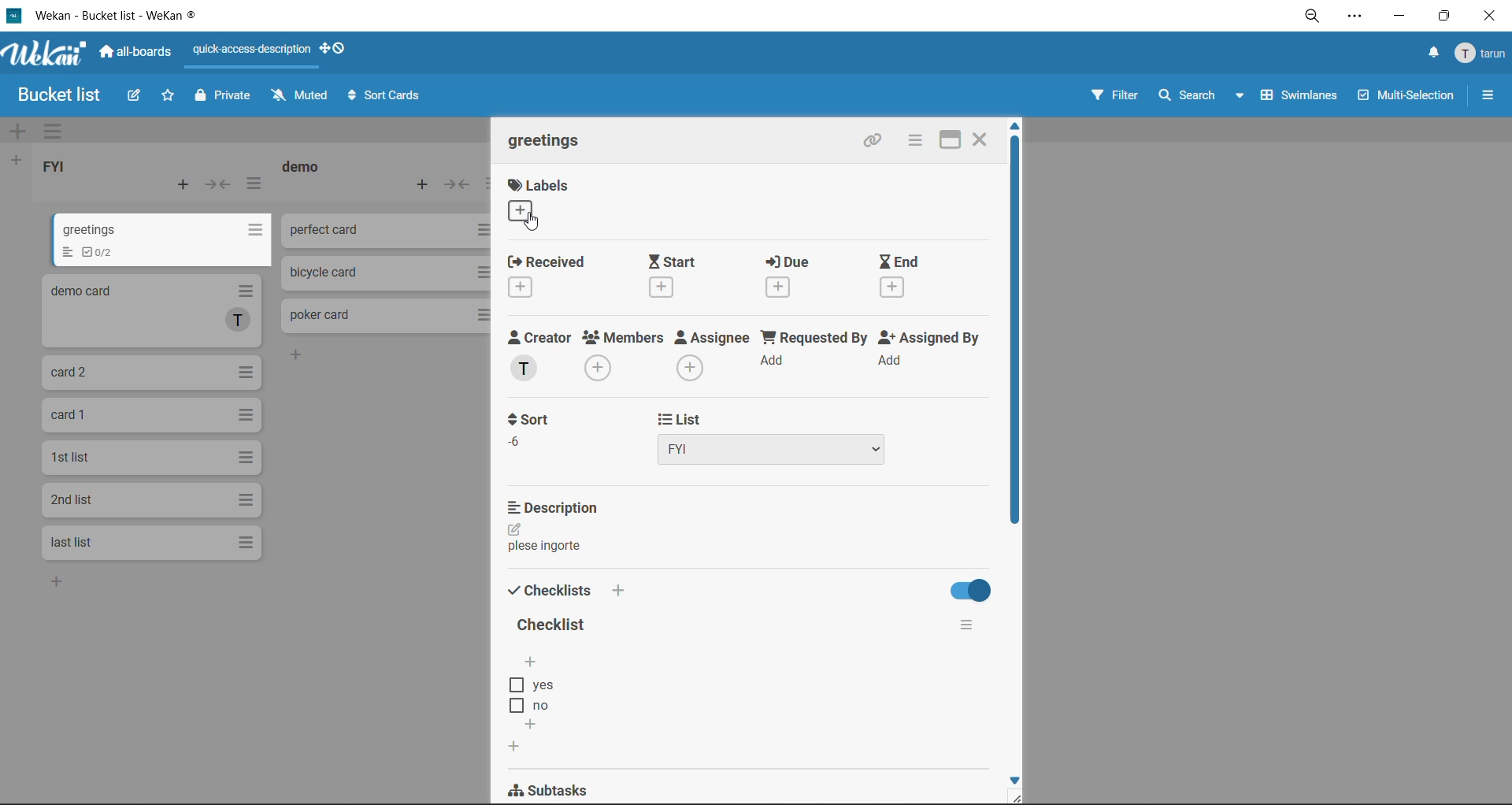 This screenshot has height=805, width=1512. I want to click on title, so click(552, 625).